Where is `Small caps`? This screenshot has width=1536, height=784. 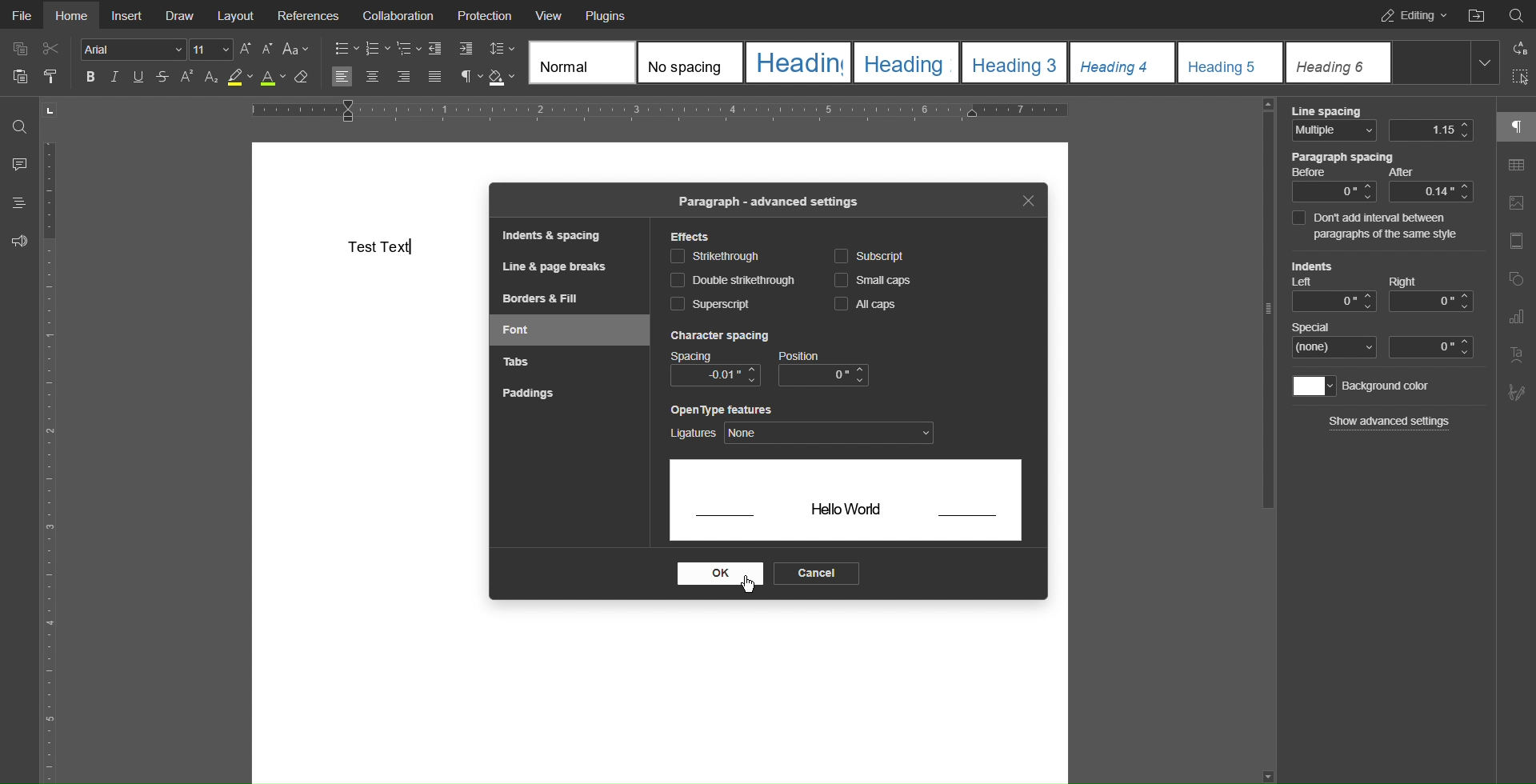 Small caps is located at coordinates (878, 280).